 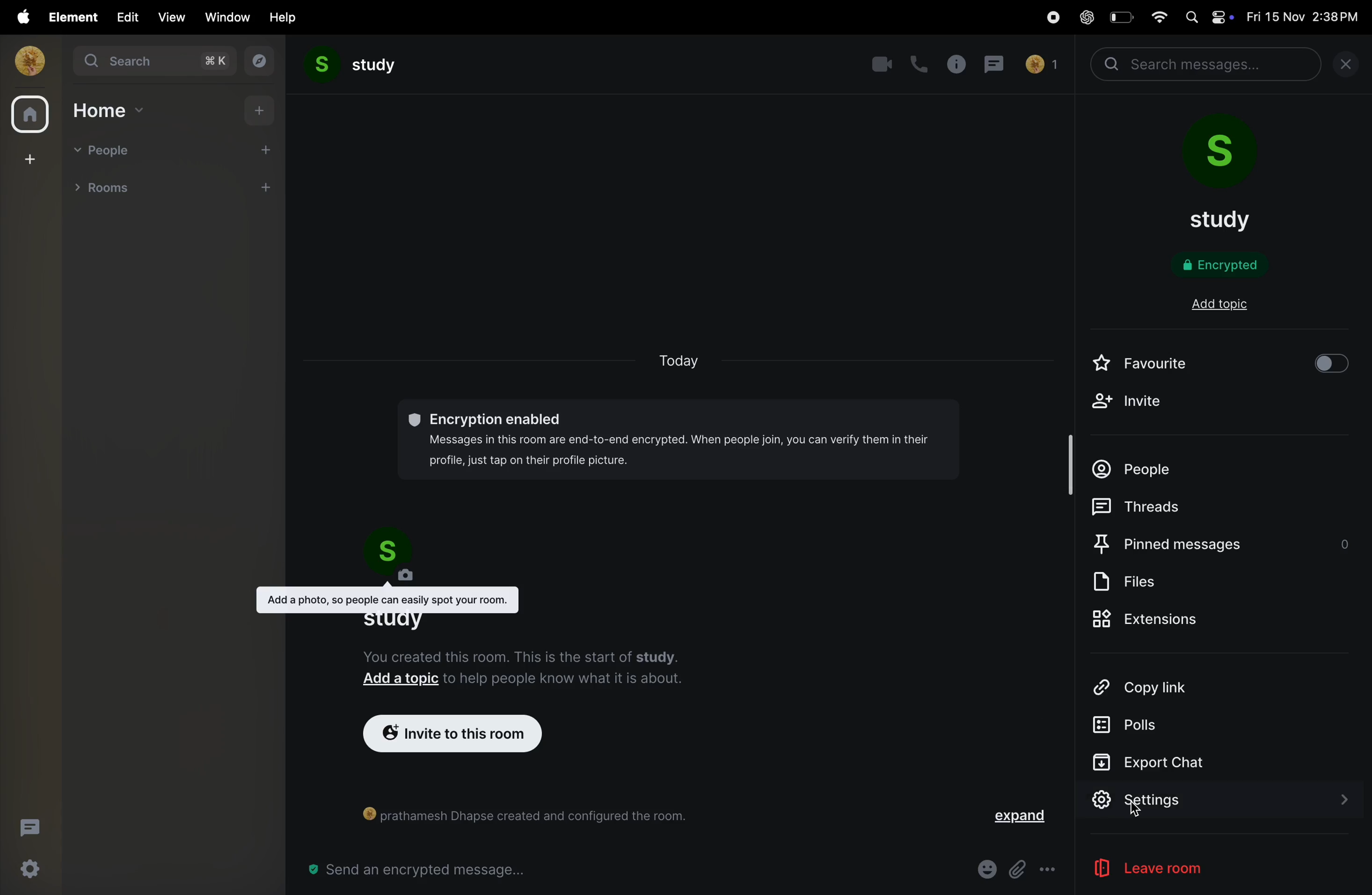 What do you see at coordinates (1127, 404) in the screenshot?
I see `invite` at bounding box center [1127, 404].